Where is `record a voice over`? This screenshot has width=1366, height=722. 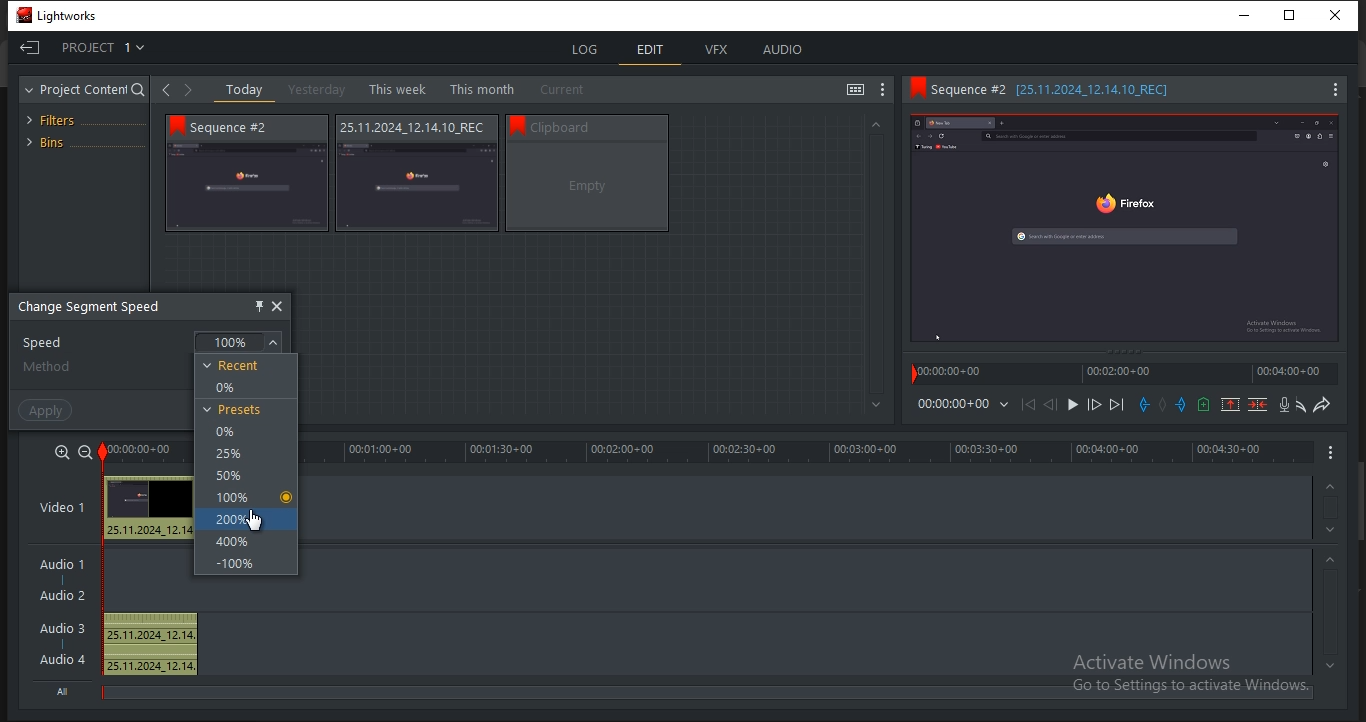 record a voice over is located at coordinates (1281, 404).